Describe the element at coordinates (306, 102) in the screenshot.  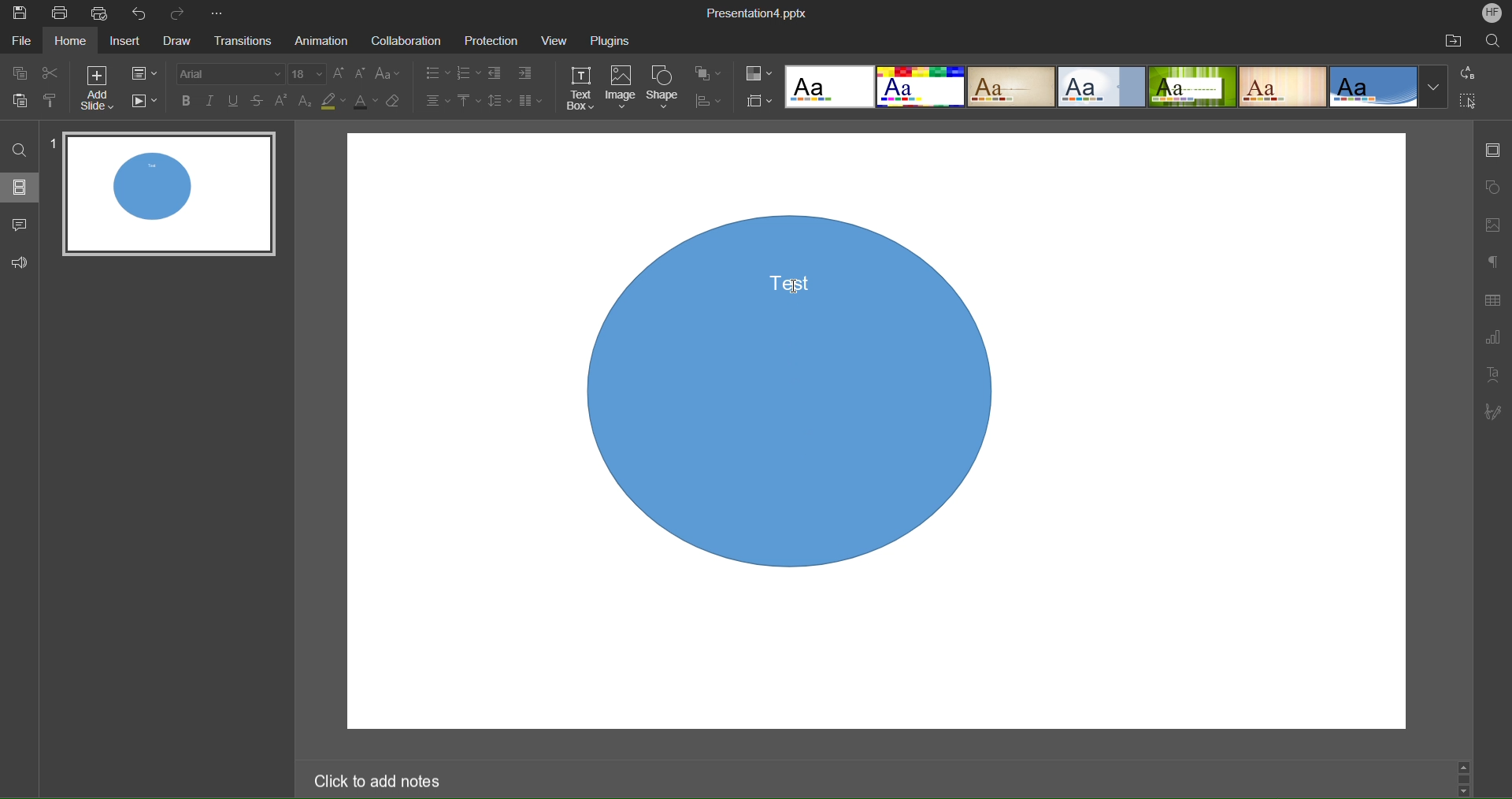
I see `Subscript` at that location.